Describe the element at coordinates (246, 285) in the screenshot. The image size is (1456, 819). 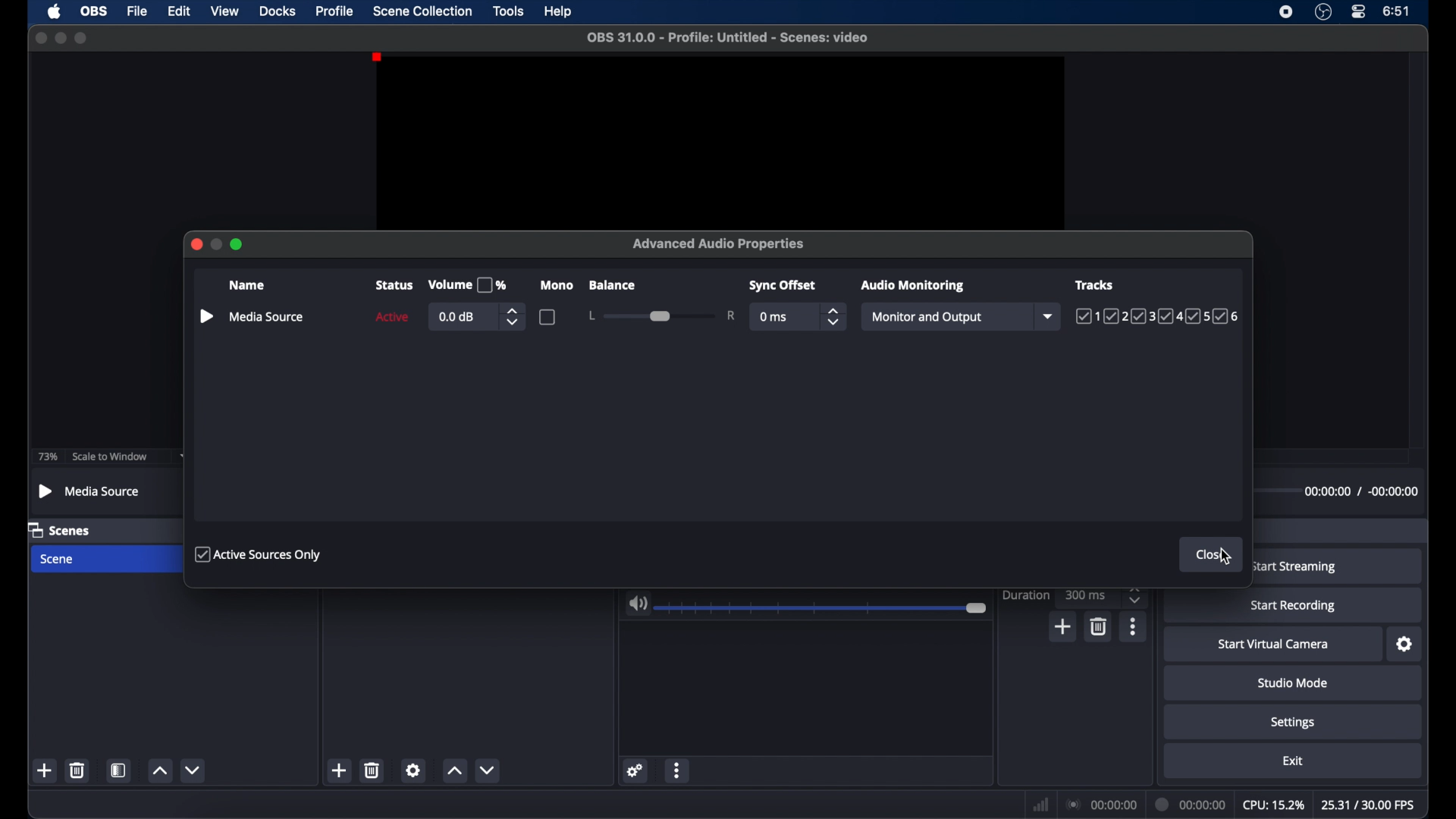
I see `name` at that location.